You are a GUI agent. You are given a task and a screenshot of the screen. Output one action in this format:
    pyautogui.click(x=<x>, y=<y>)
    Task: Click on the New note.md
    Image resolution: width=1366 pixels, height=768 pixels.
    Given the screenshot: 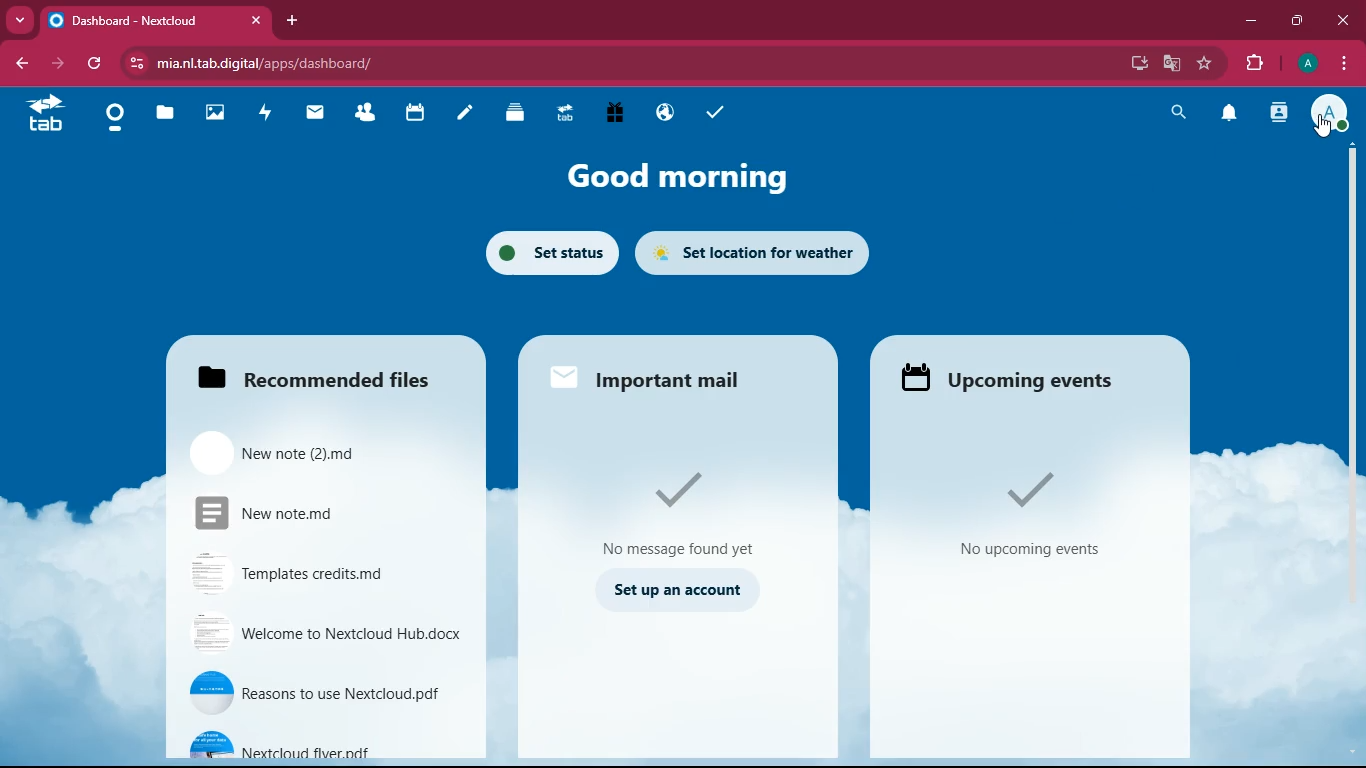 What is the action you would take?
    pyautogui.click(x=330, y=516)
    